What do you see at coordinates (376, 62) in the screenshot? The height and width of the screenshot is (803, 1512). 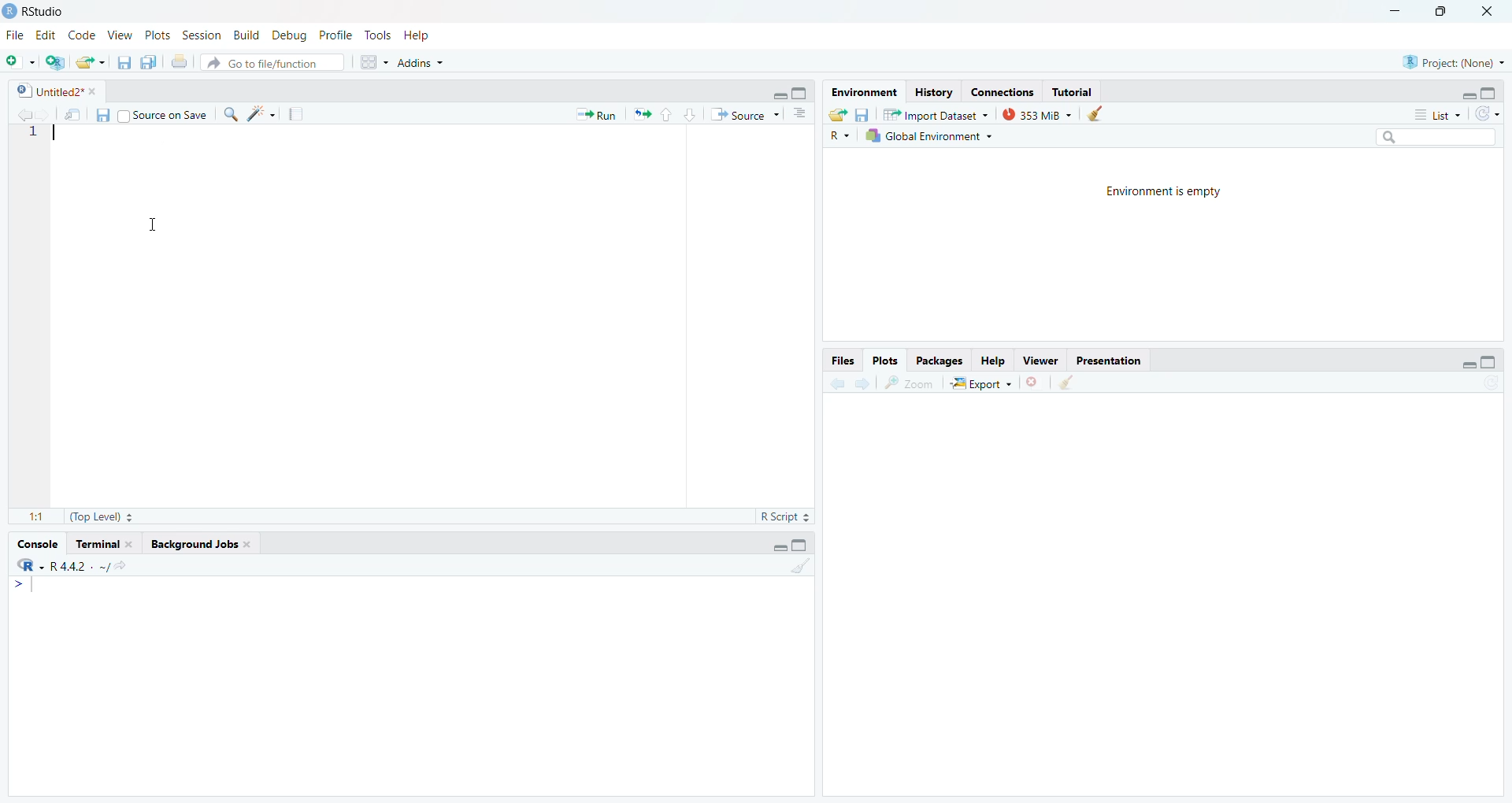 I see `workspace pane` at bounding box center [376, 62].